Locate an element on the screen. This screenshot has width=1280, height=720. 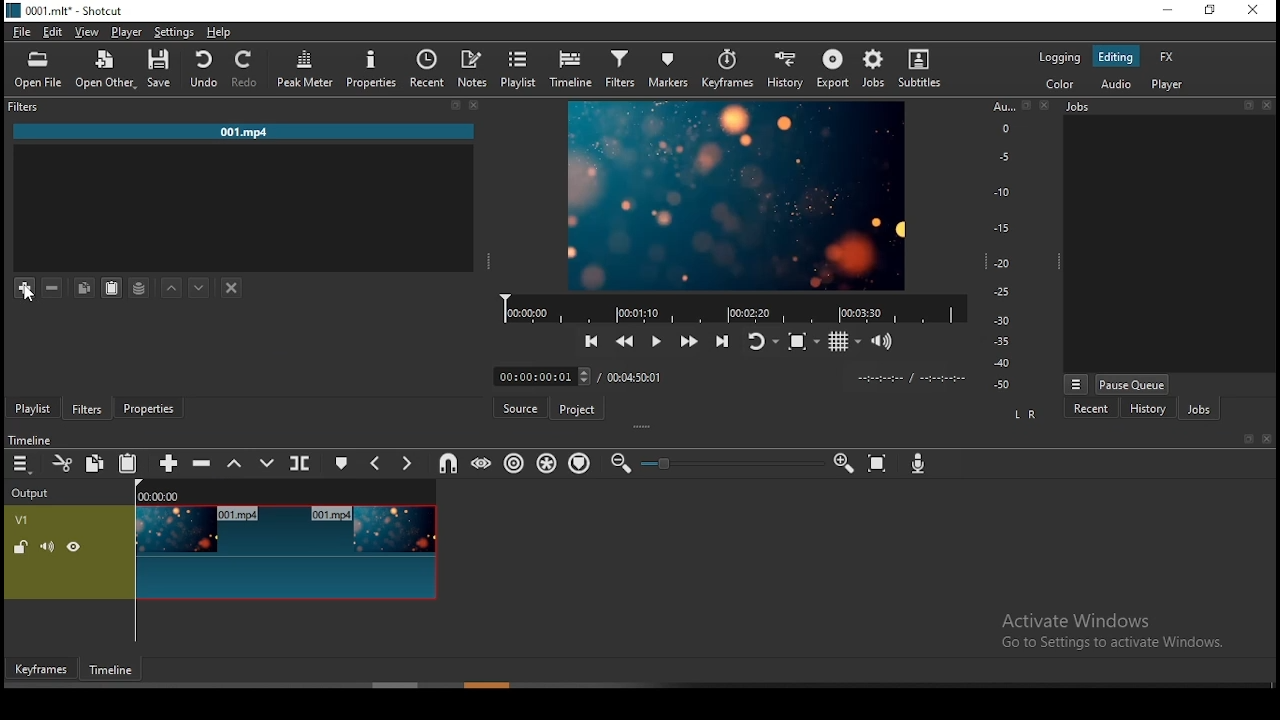
play quickly backward is located at coordinates (627, 339).